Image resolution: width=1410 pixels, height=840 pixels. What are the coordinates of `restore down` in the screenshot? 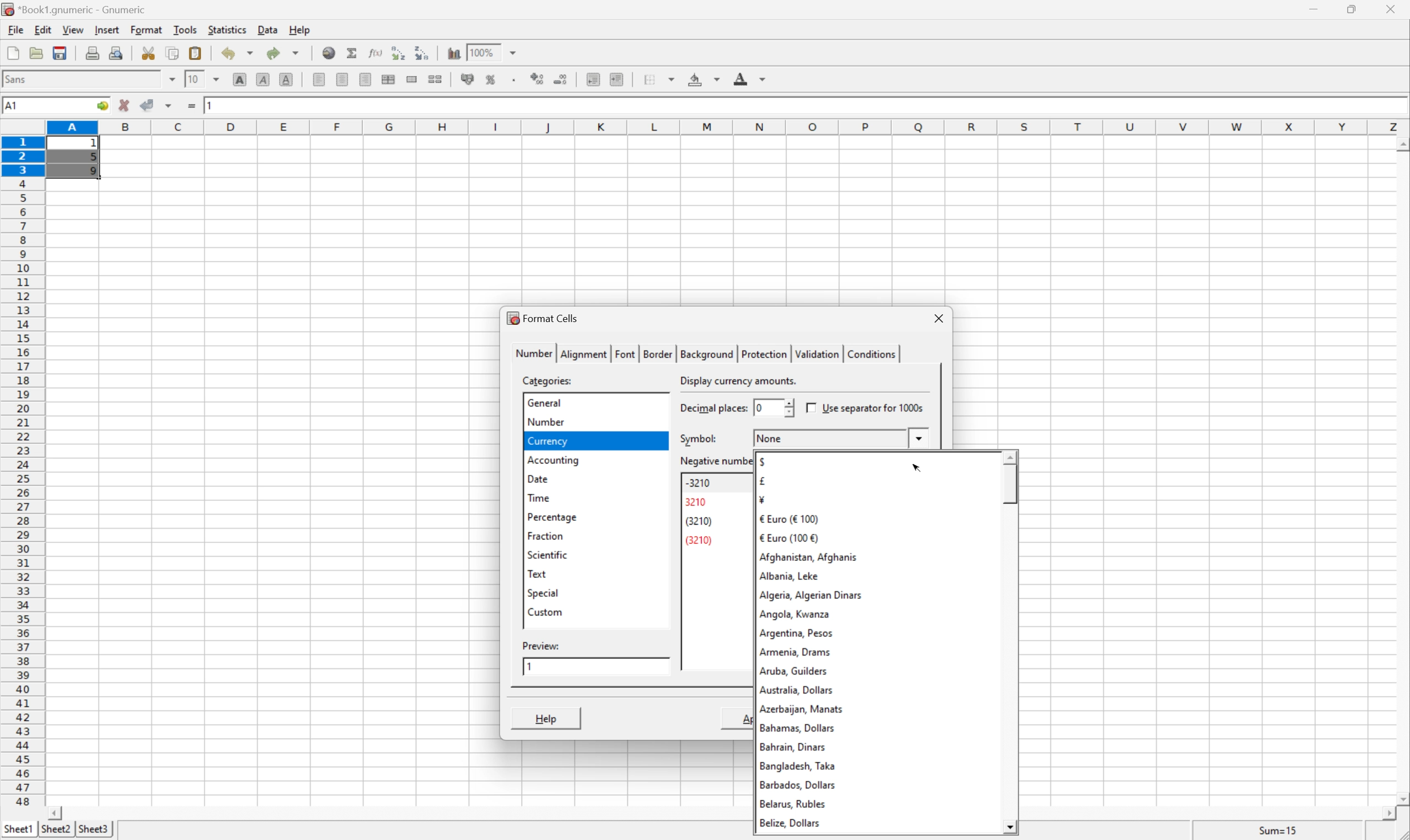 It's located at (1353, 9).